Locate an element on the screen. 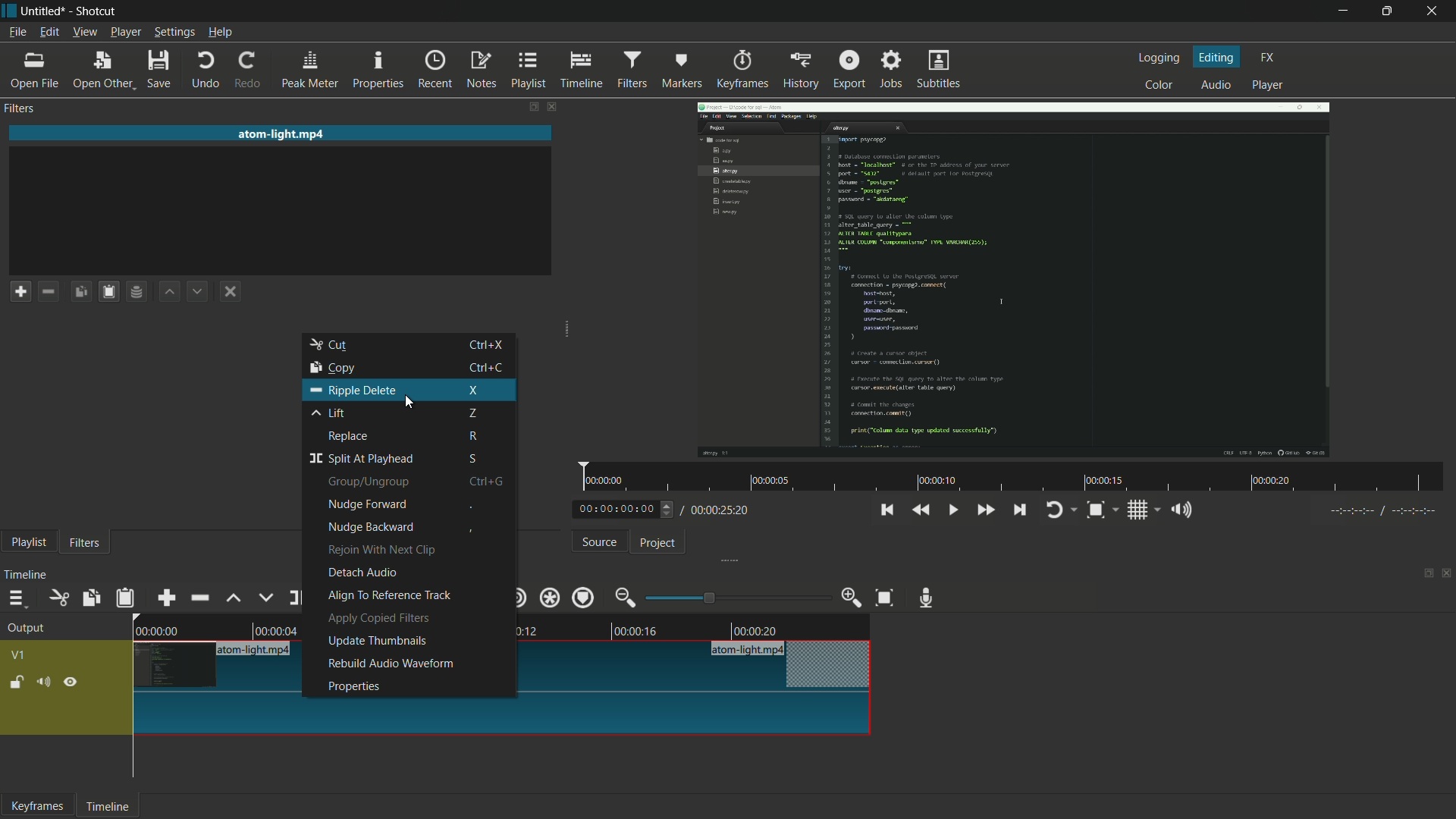  apply copied filters is located at coordinates (378, 619).